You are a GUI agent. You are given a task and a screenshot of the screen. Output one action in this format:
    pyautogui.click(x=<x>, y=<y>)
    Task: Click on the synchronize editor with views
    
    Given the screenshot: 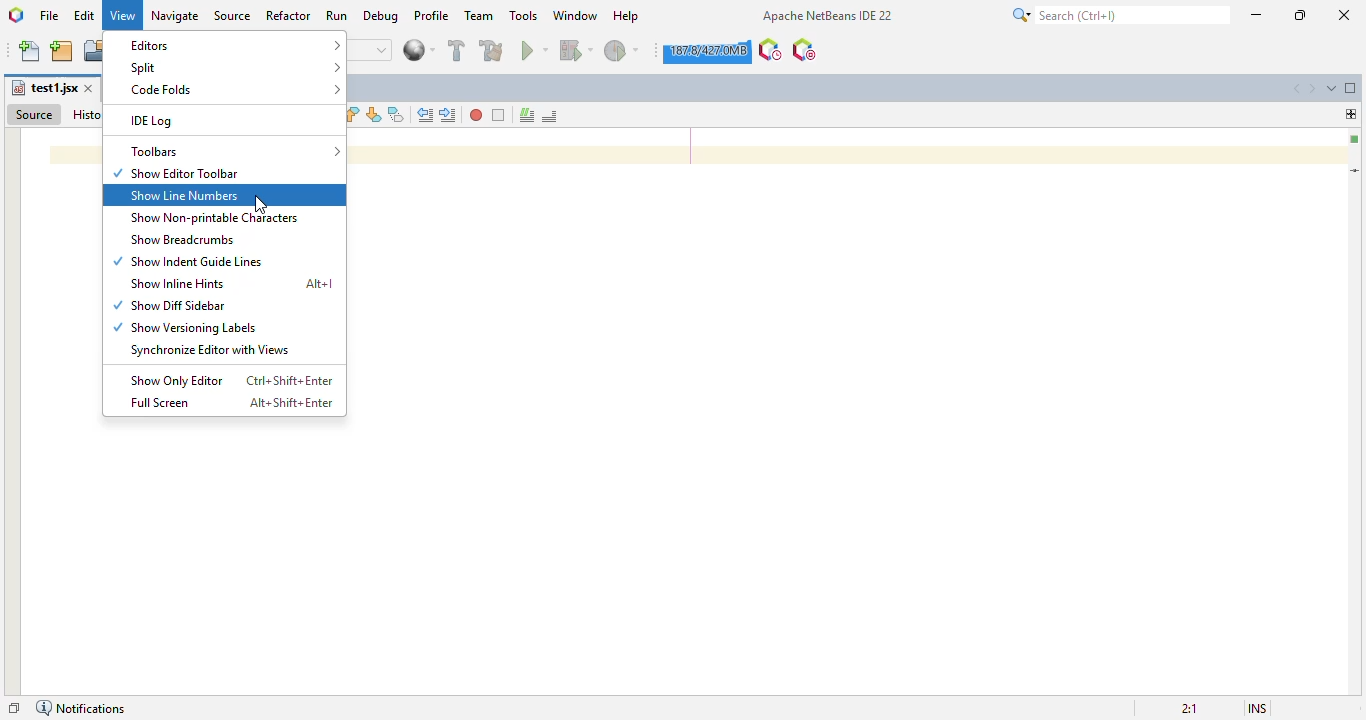 What is the action you would take?
    pyautogui.click(x=207, y=351)
    